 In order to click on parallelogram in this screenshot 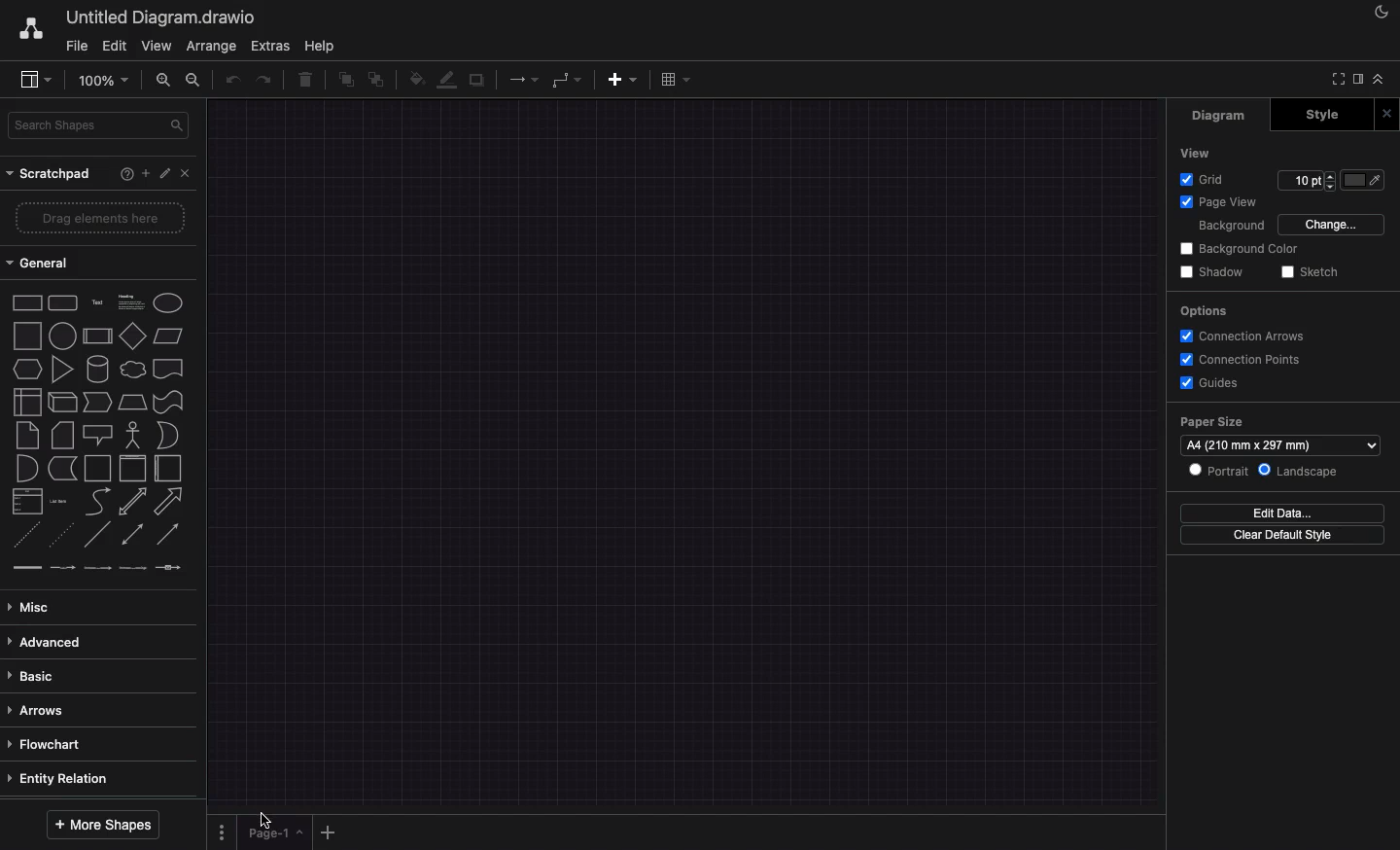, I will do `click(168, 336)`.